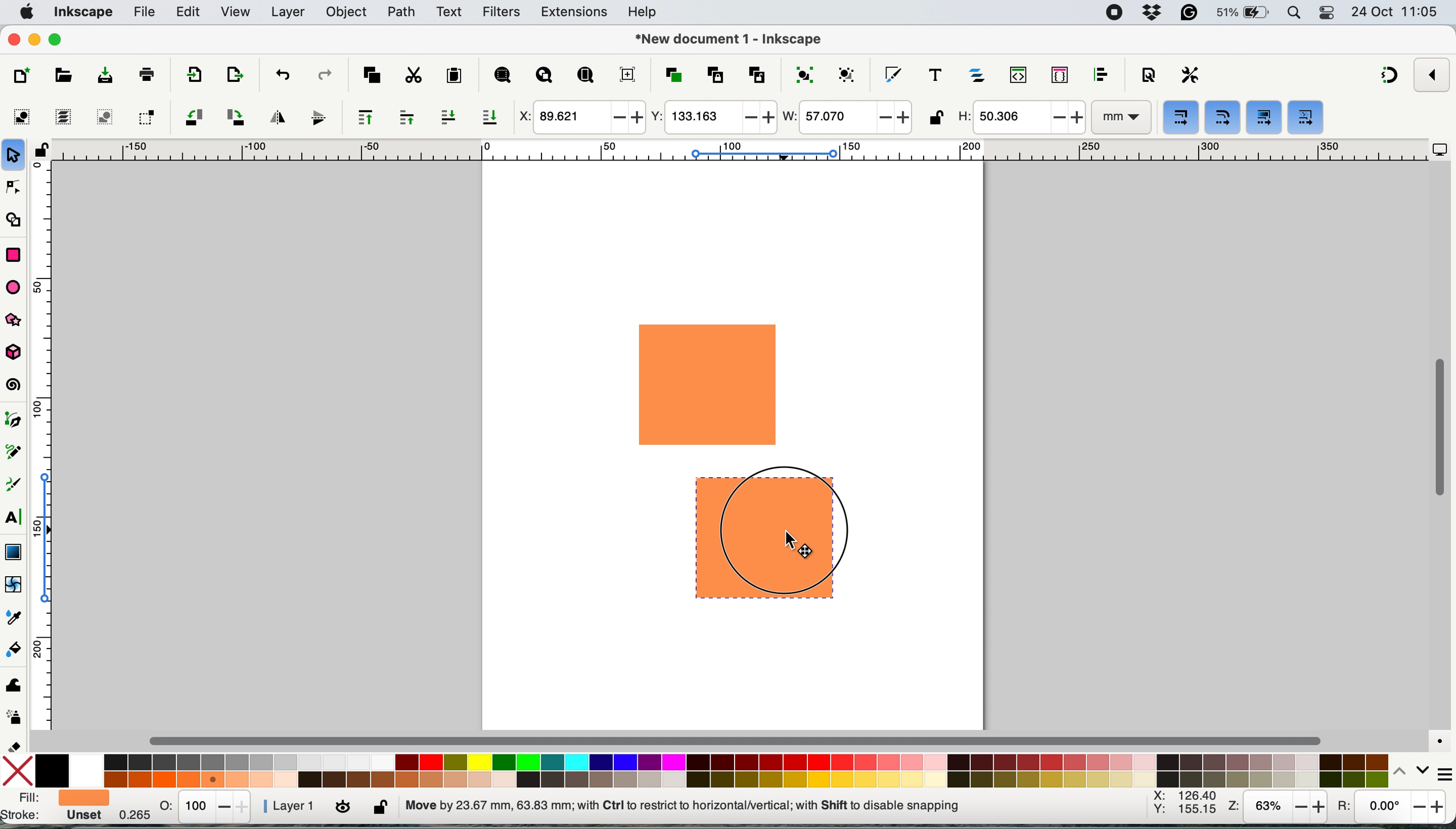 The height and width of the screenshot is (829, 1456). Describe the element at coordinates (290, 806) in the screenshot. I see `layer 1` at that location.